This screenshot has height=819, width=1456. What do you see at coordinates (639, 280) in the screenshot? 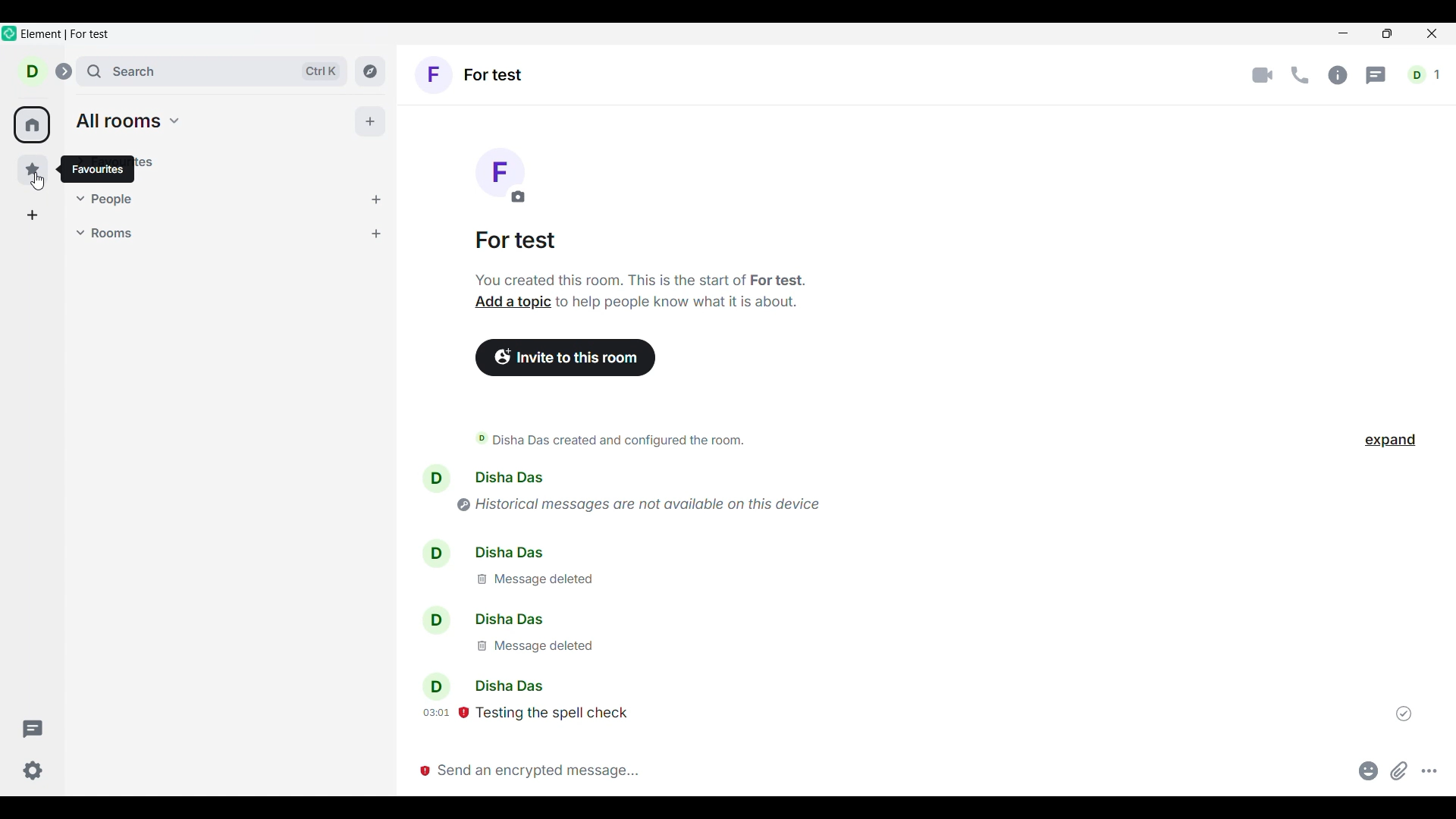
I see `you created this room. this is the start of for test` at bounding box center [639, 280].